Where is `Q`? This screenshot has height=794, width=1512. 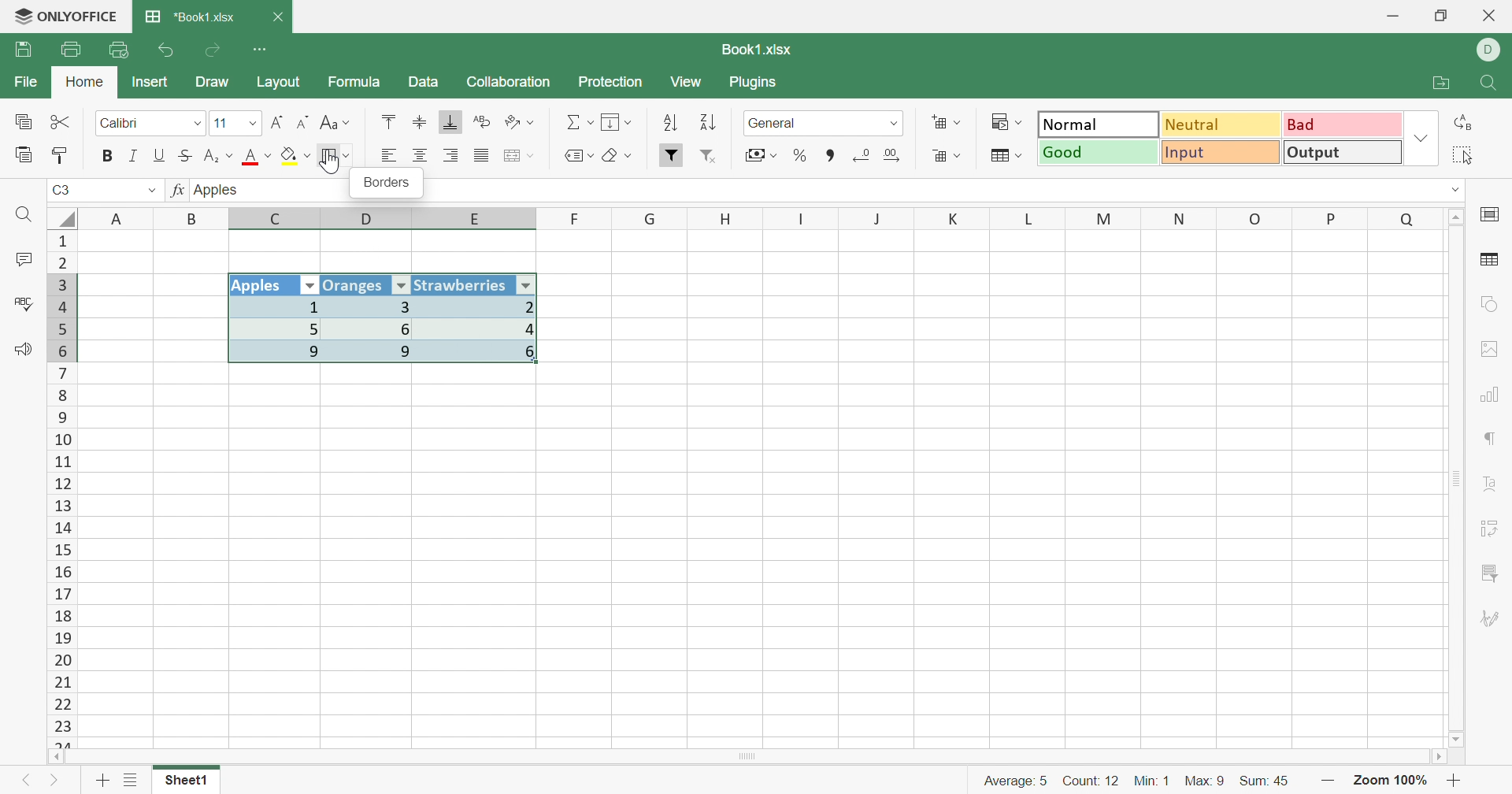 Q is located at coordinates (1406, 217).